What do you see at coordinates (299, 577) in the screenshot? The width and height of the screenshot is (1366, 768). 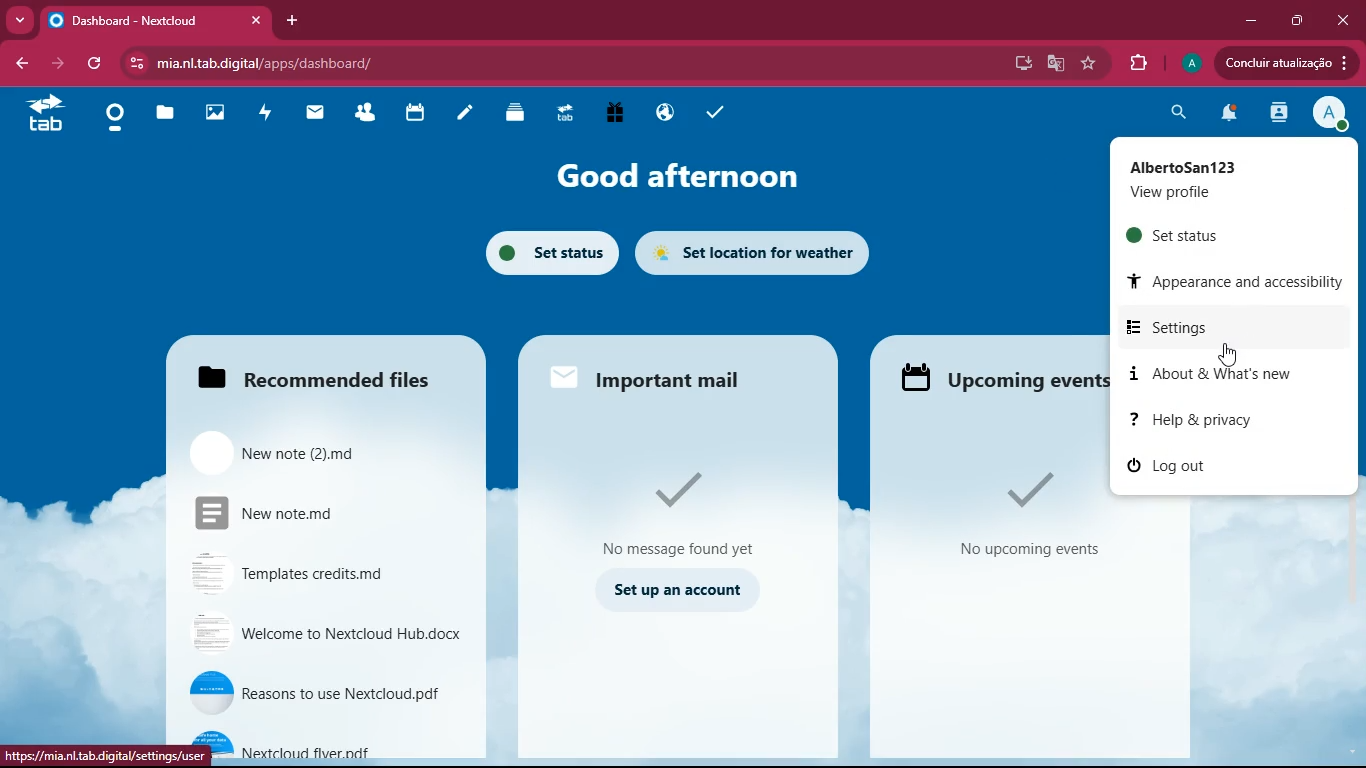 I see `Templates credits.md` at bounding box center [299, 577].